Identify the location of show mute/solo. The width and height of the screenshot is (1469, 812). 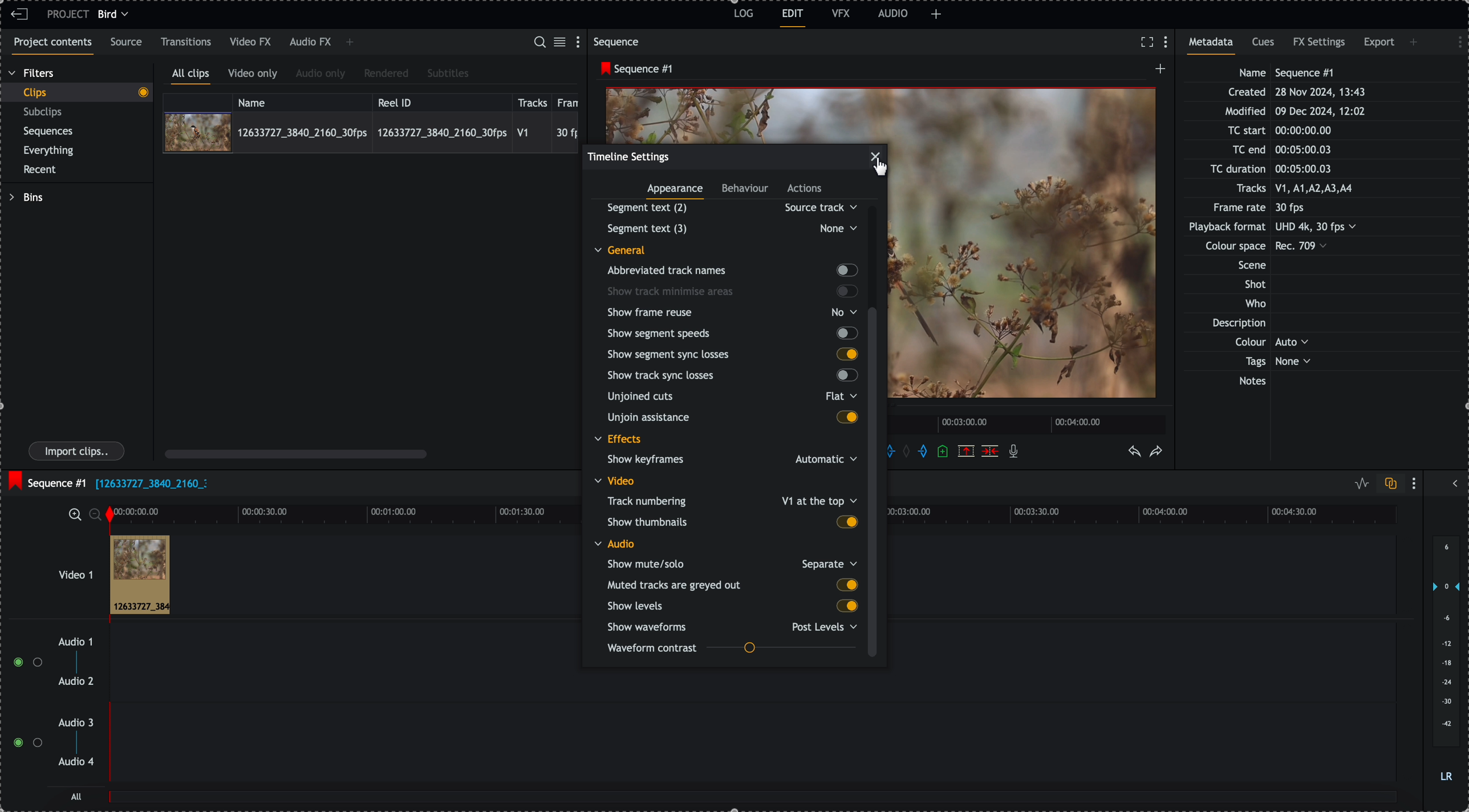
(731, 563).